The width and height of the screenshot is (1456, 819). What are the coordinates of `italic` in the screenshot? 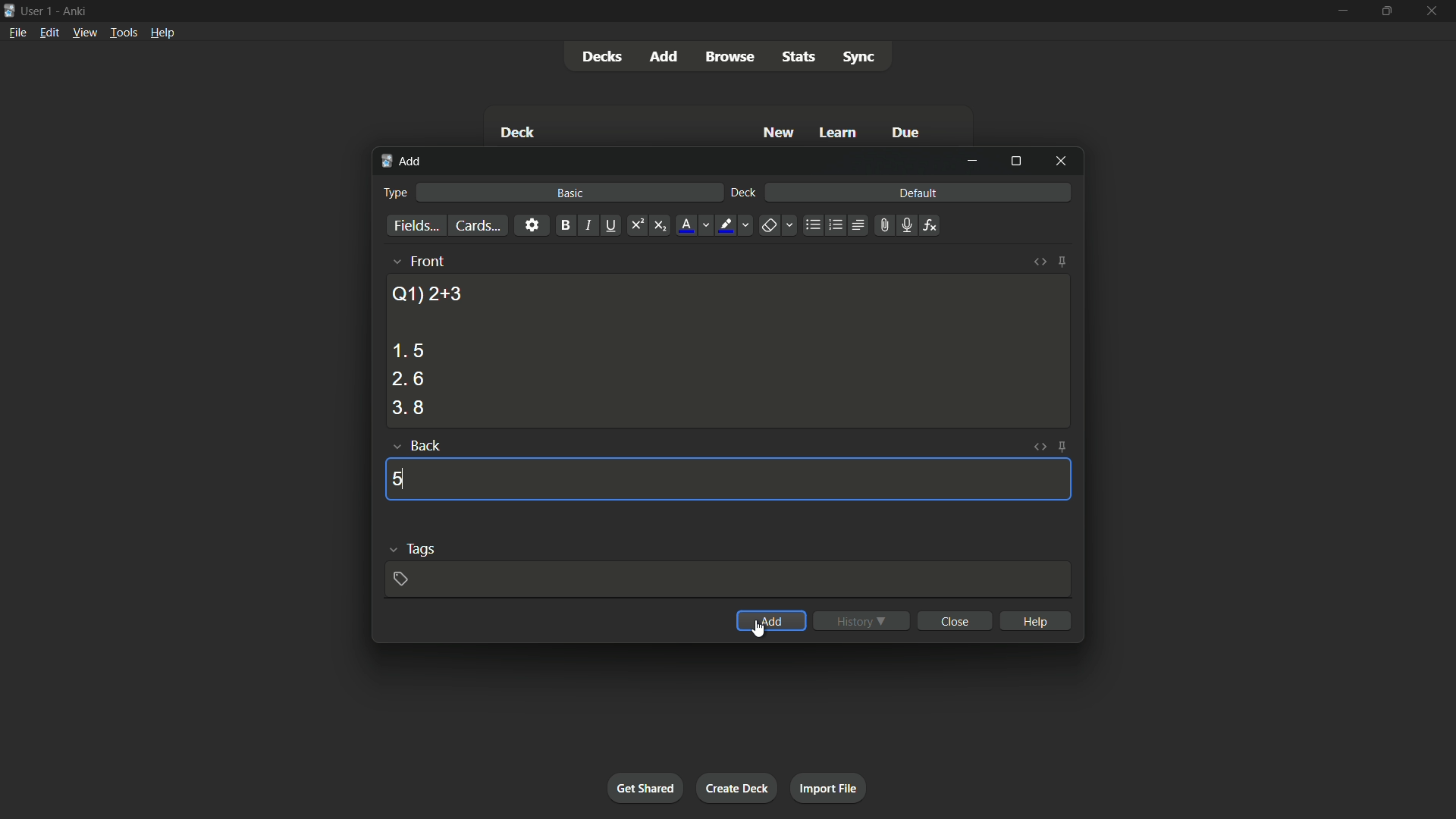 It's located at (587, 225).